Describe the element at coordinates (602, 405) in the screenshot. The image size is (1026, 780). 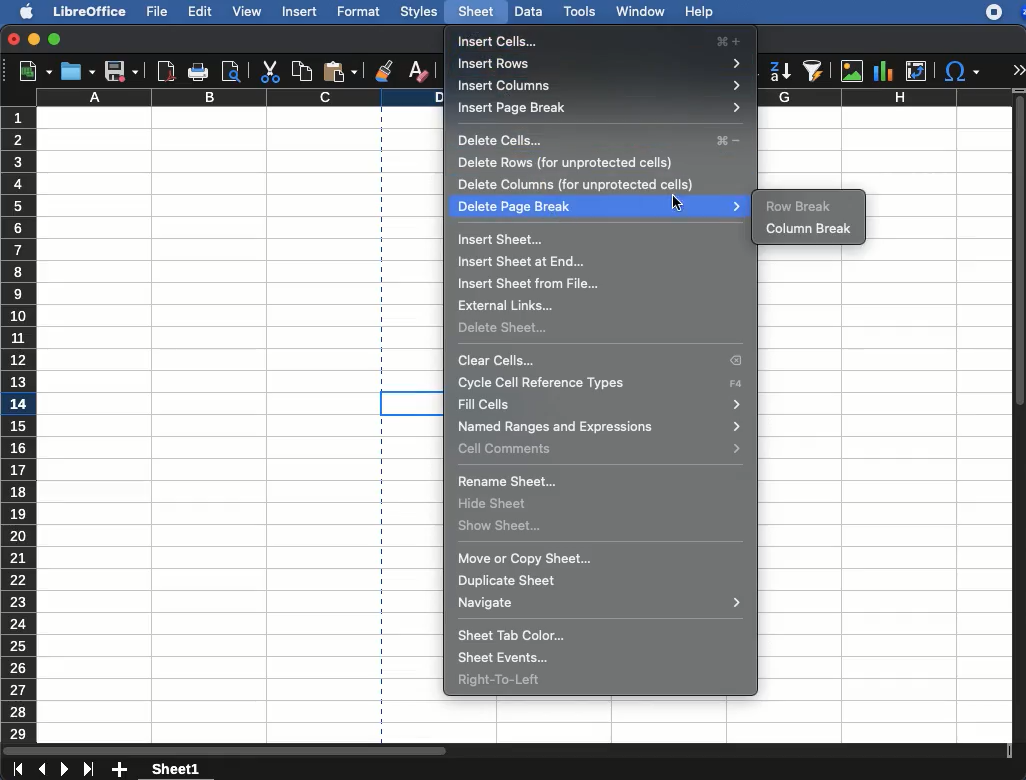
I see `fill cells` at that location.